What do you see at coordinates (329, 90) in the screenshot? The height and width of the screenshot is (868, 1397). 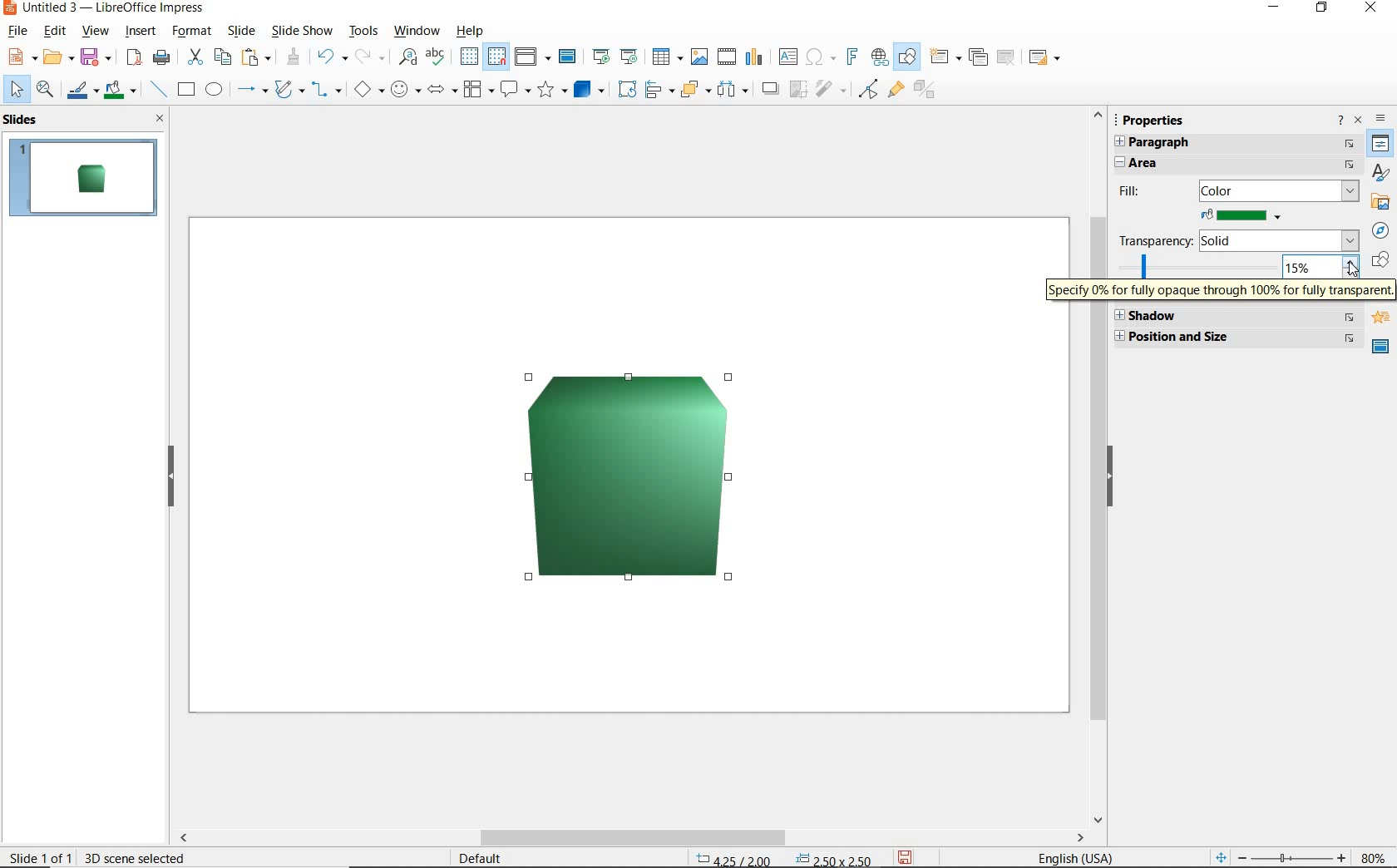 I see `connectors` at bounding box center [329, 90].